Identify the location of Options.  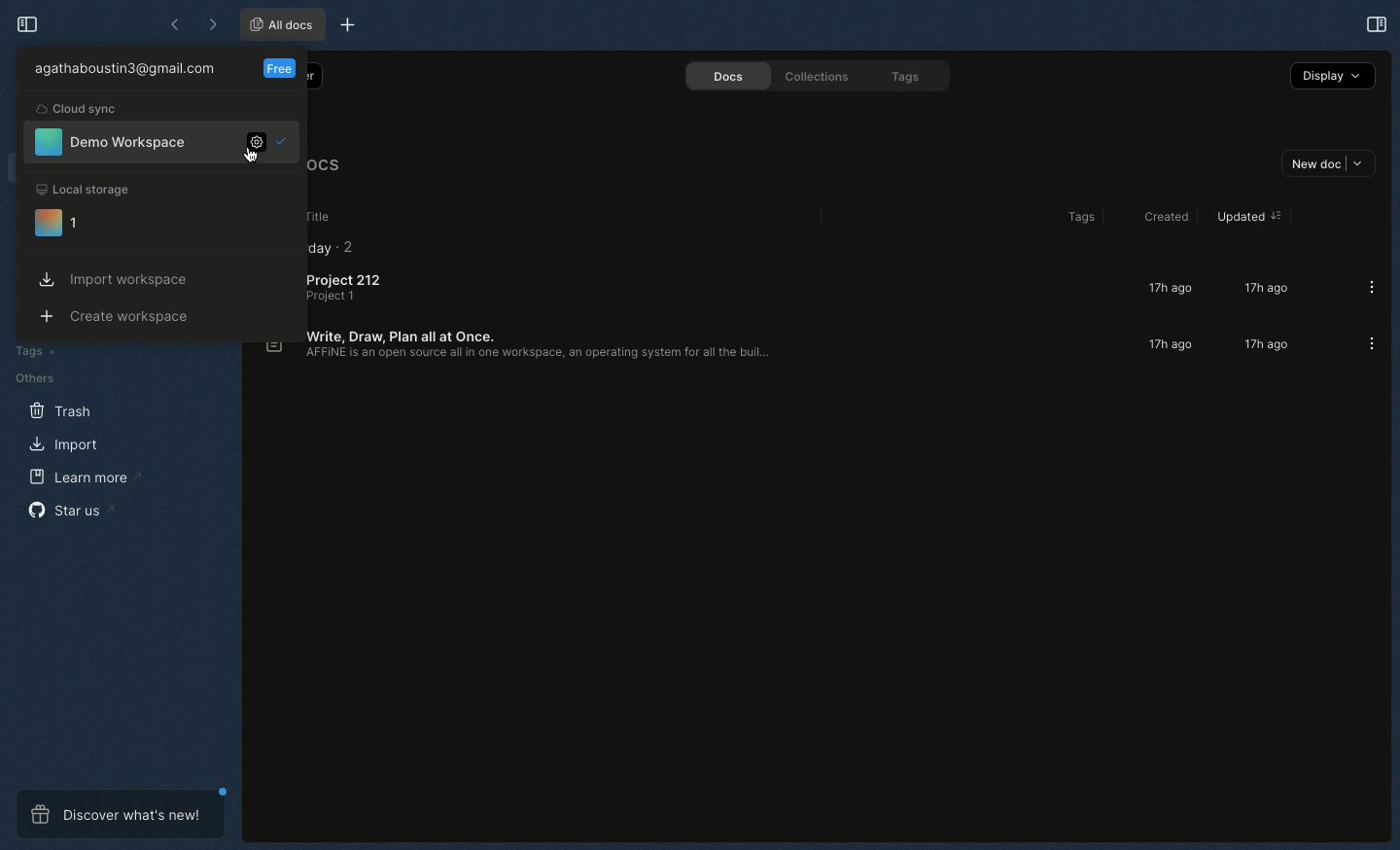
(1366, 343).